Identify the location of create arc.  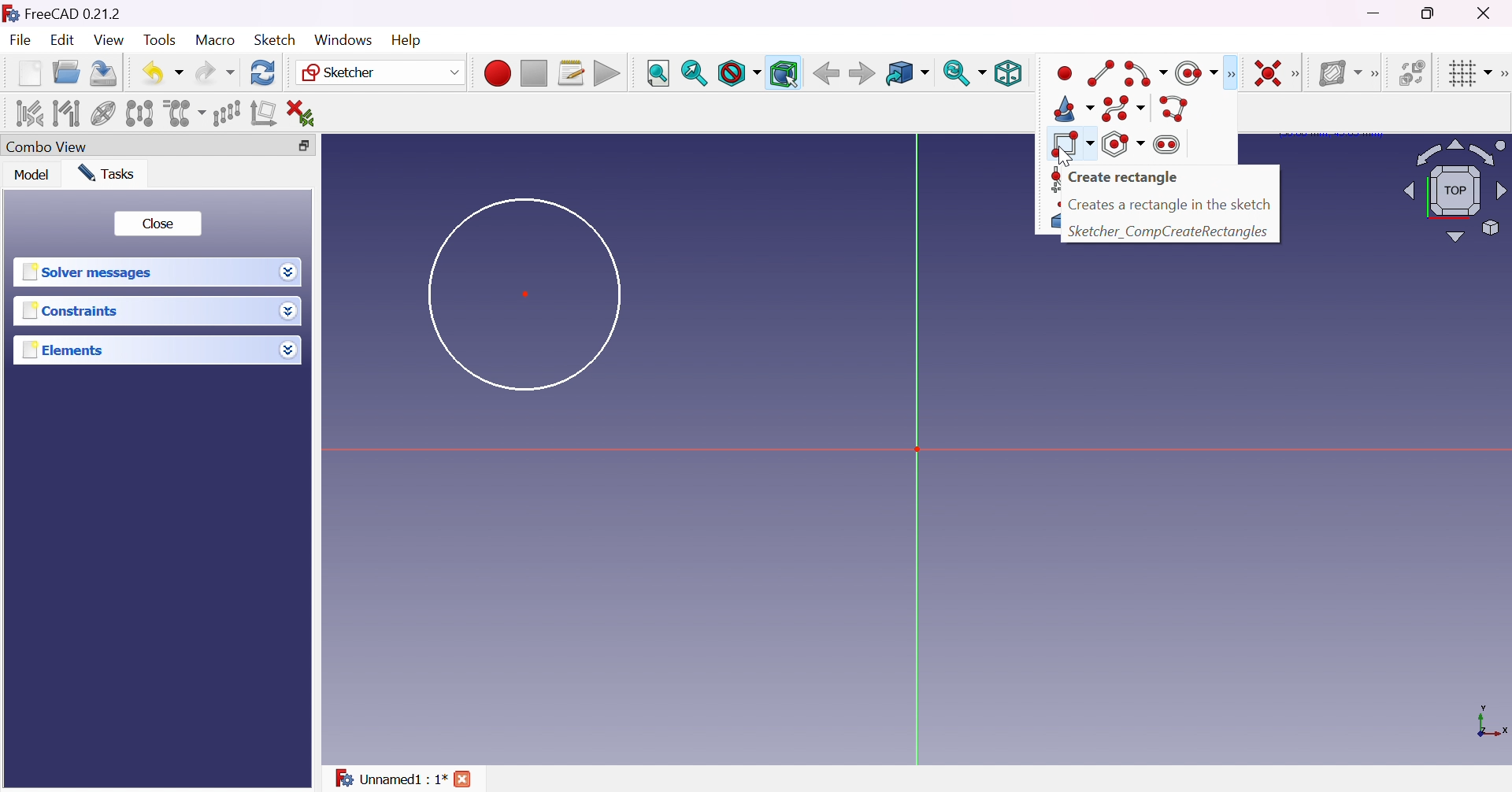
(1147, 74).